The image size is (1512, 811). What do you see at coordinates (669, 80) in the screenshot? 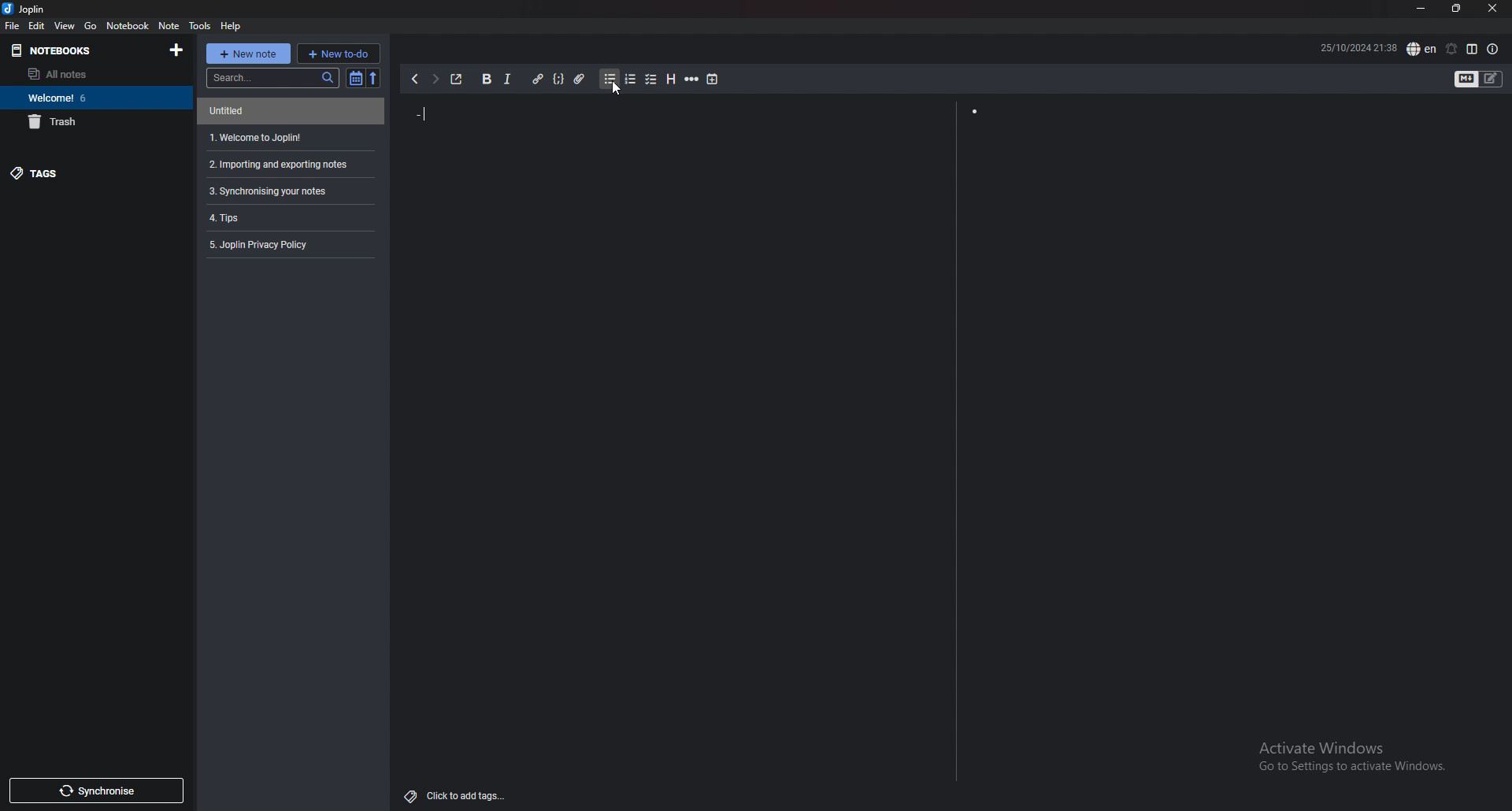
I see `Heading` at bounding box center [669, 80].